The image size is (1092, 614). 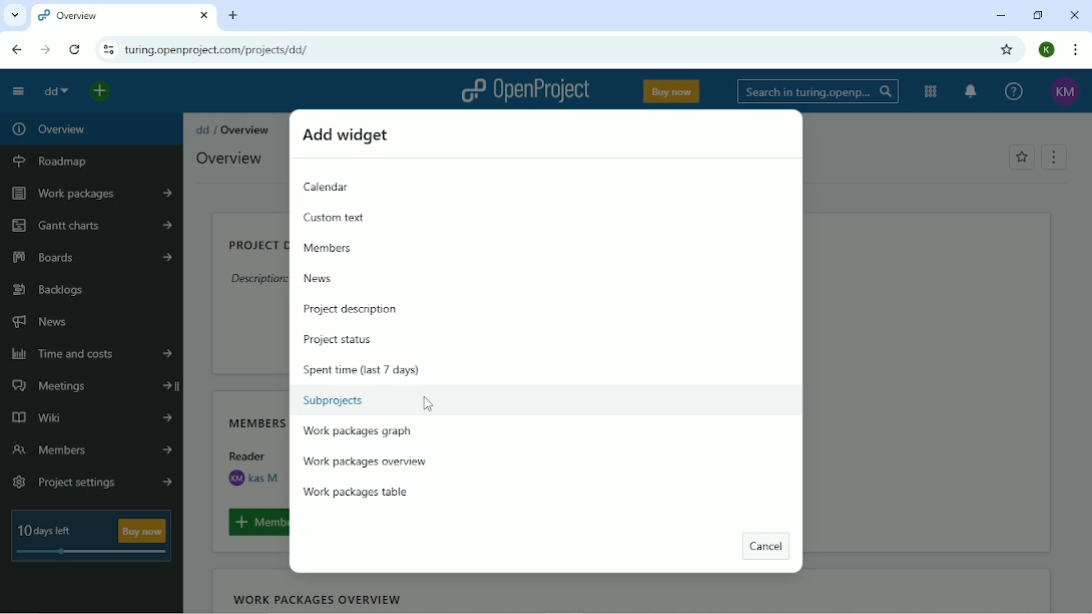 What do you see at coordinates (334, 400) in the screenshot?
I see `Subprojects` at bounding box center [334, 400].